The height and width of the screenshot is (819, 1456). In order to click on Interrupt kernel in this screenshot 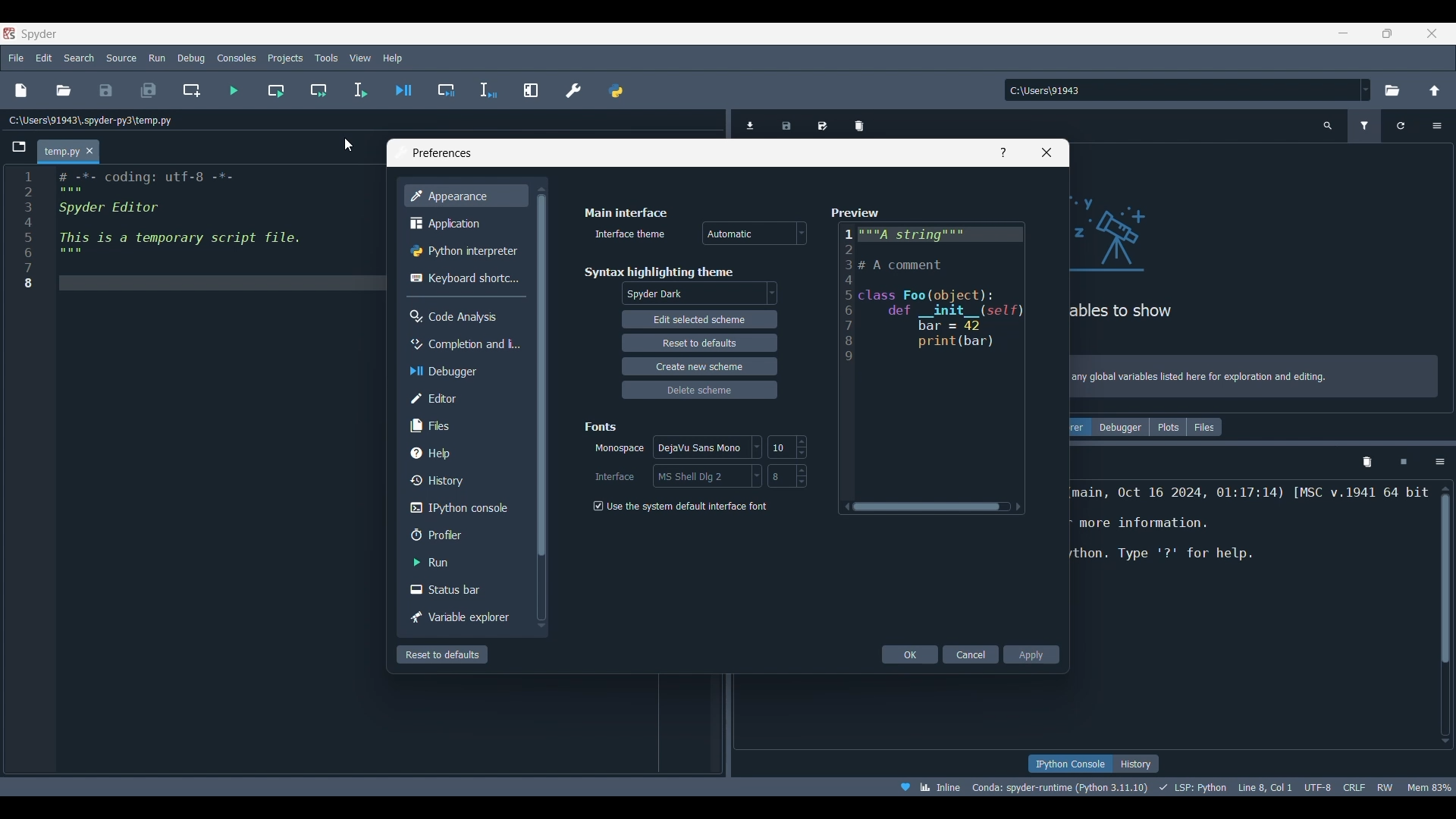, I will do `click(1403, 462)`.